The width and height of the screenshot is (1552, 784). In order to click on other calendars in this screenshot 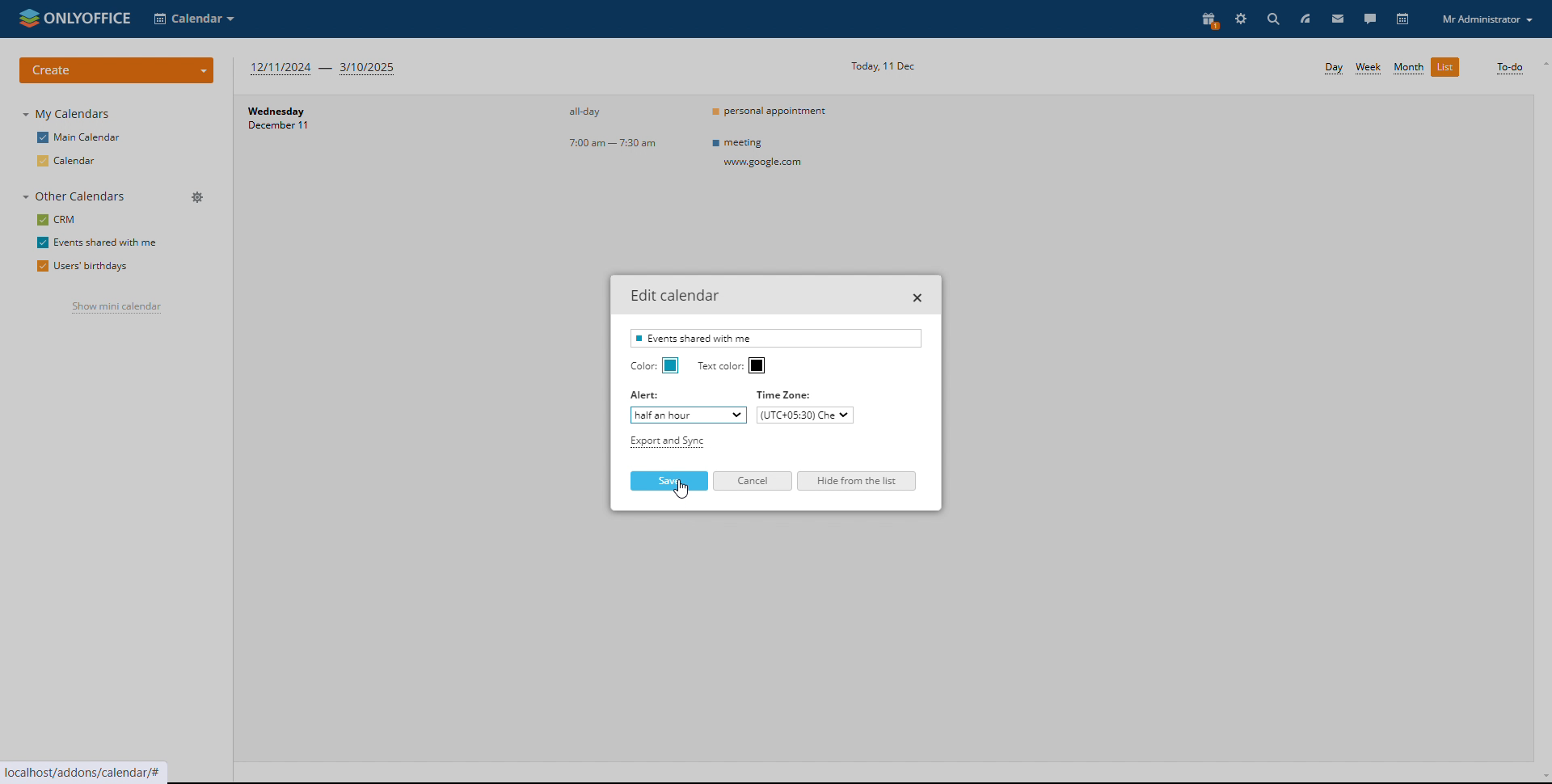, I will do `click(75, 196)`.